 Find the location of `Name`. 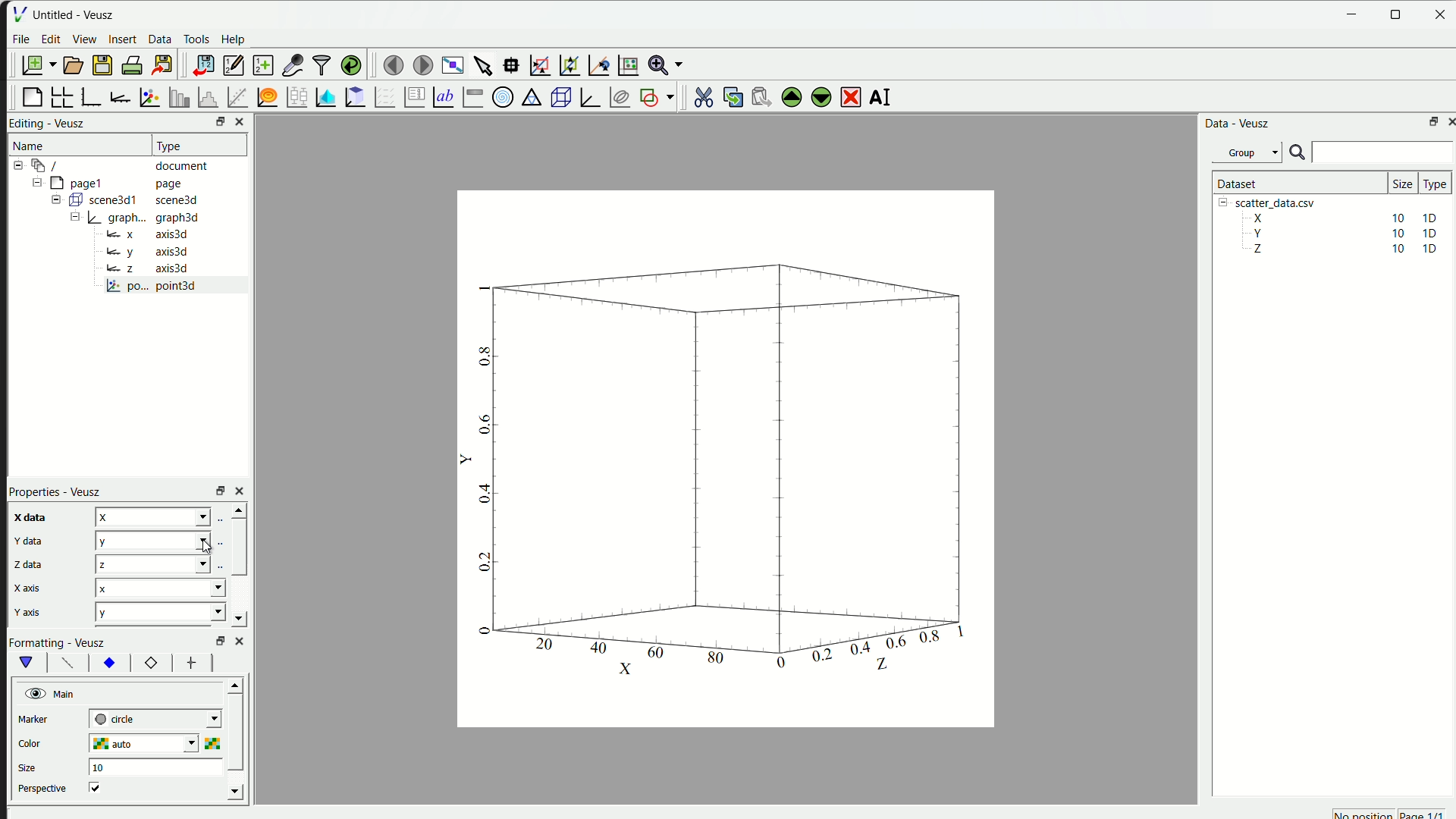

Name is located at coordinates (30, 143).